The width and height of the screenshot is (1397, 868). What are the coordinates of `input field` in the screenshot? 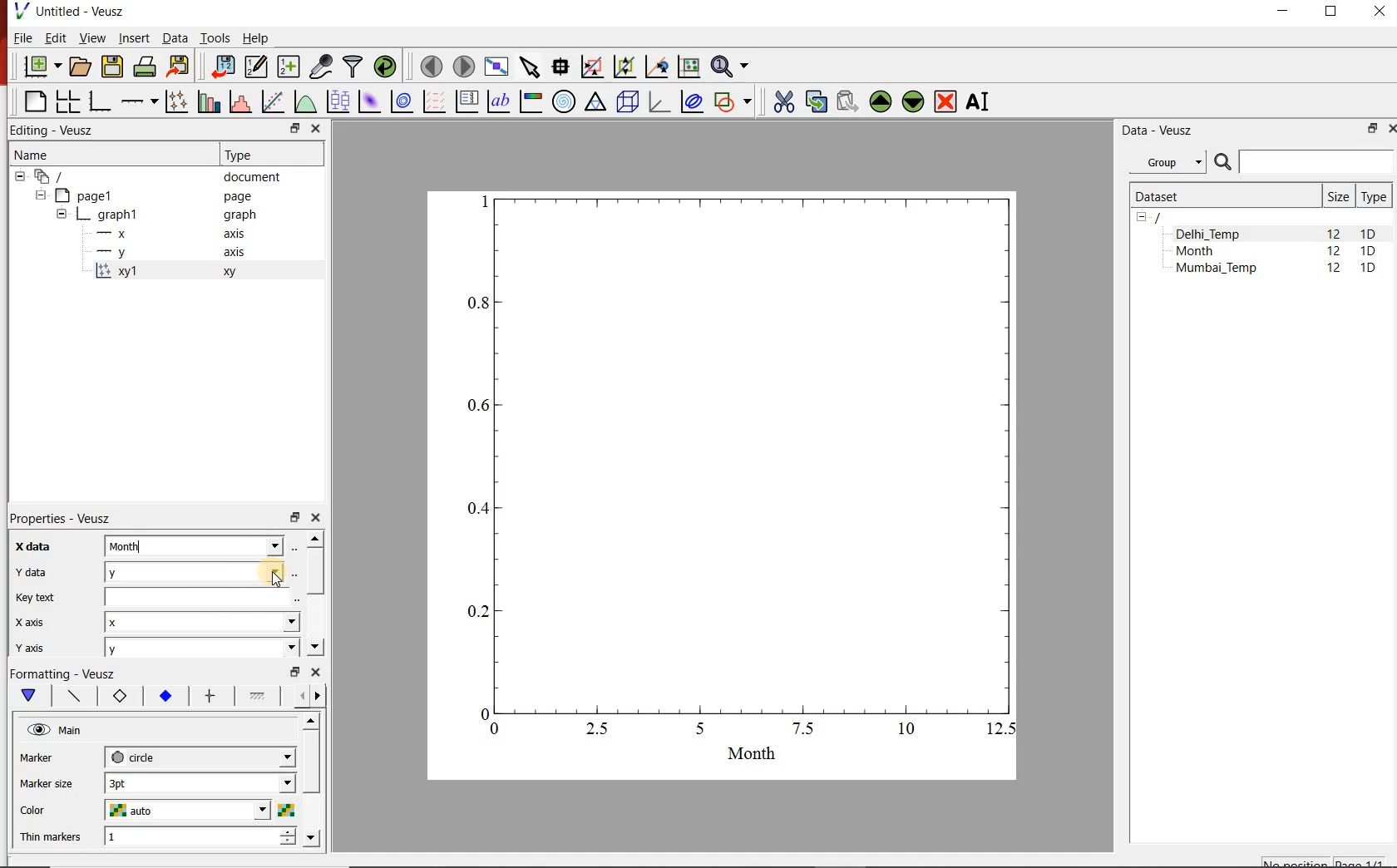 It's located at (204, 596).